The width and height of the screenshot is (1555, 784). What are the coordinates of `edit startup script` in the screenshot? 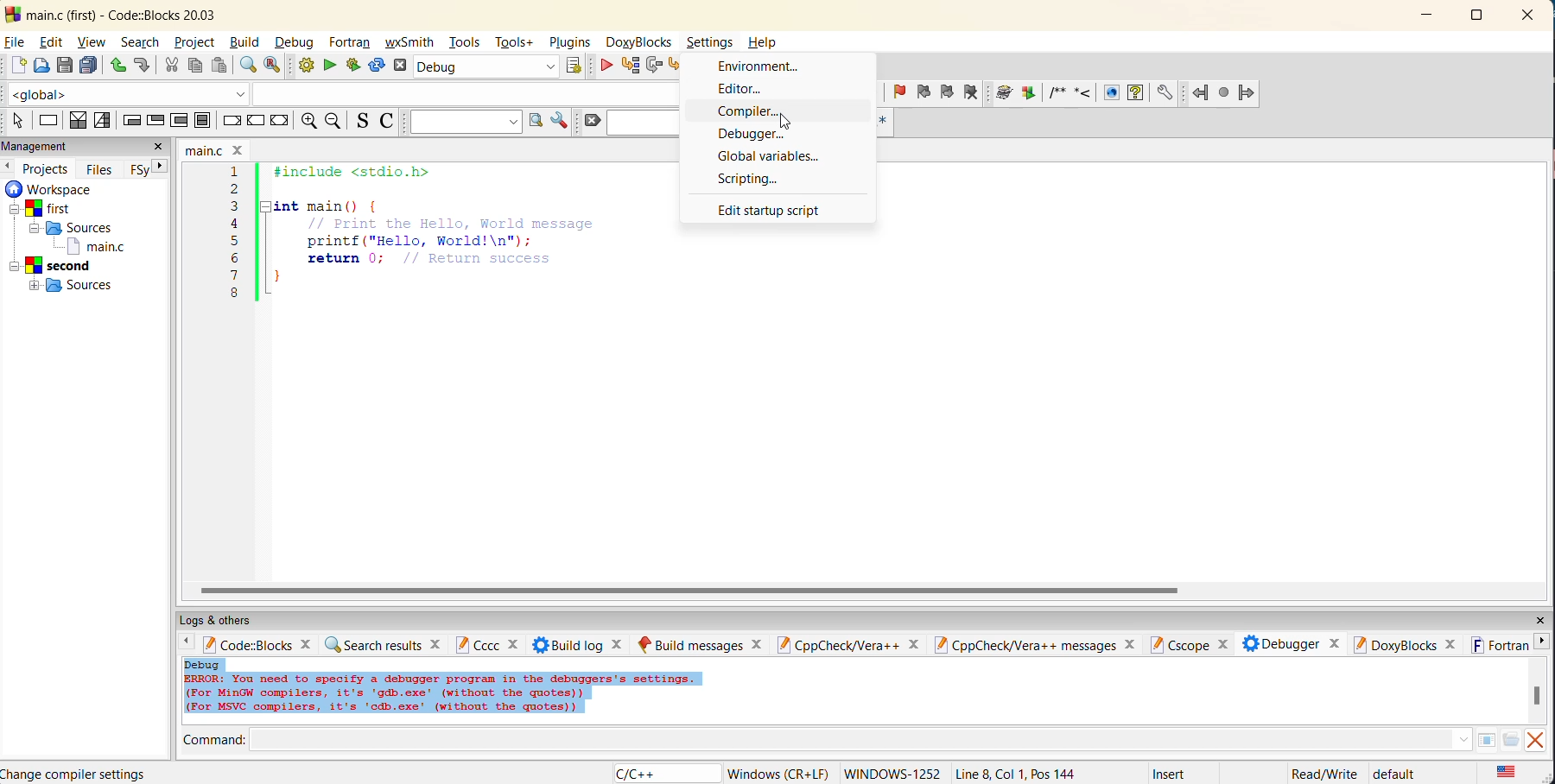 It's located at (769, 208).